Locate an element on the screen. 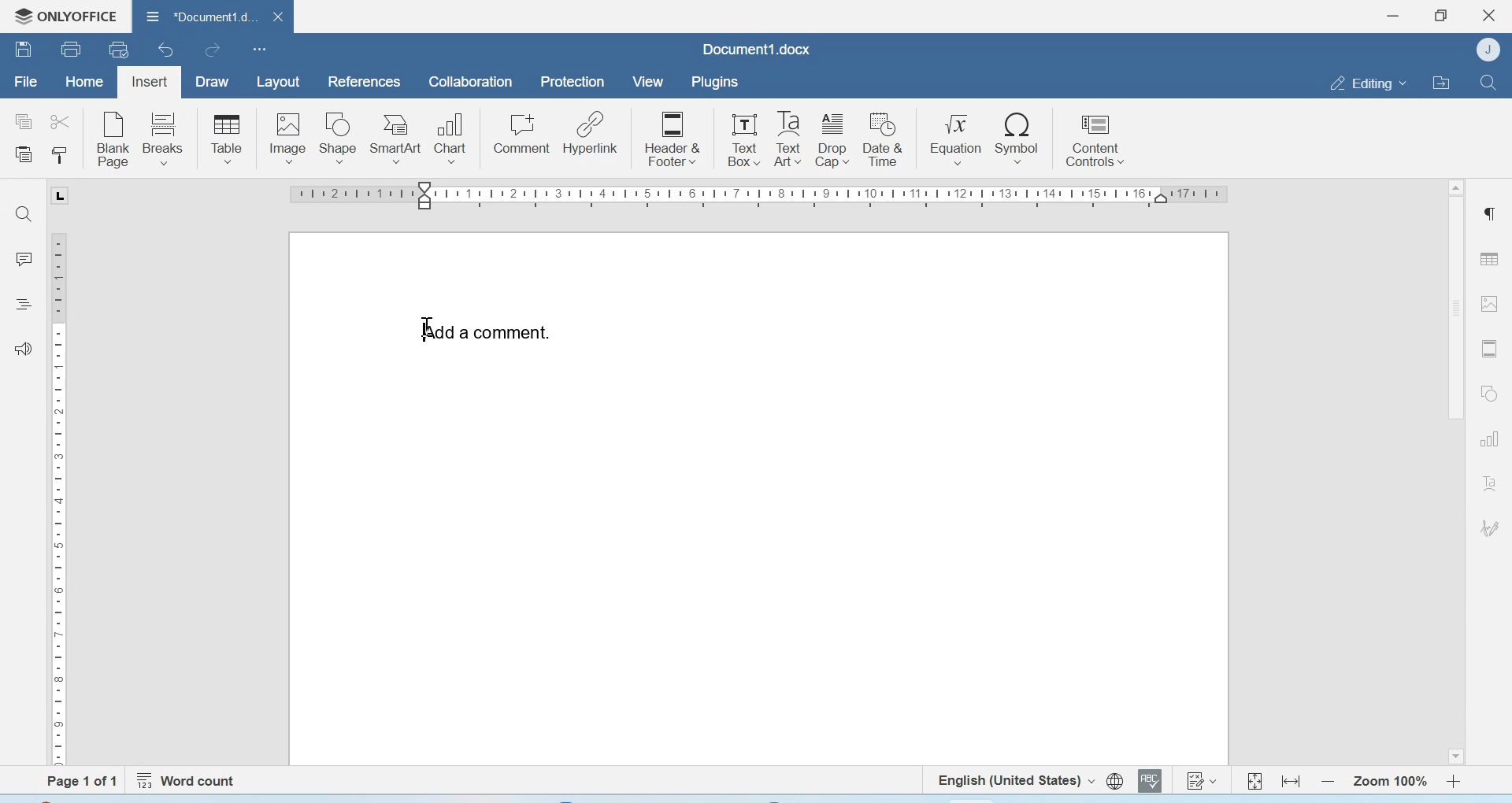 This screenshot has height=803, width=1512. close is located at coordinates (281, 16).